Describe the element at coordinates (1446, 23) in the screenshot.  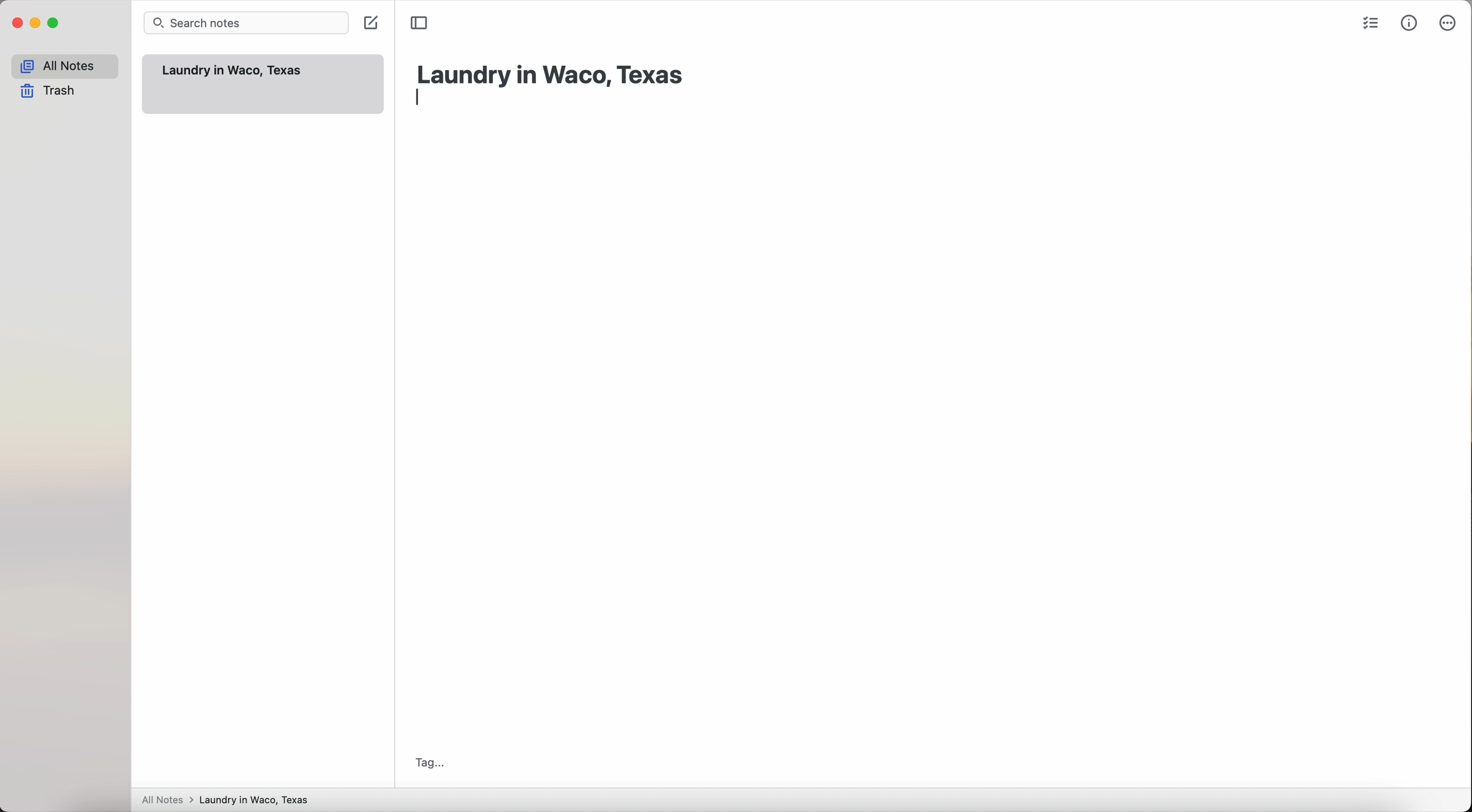
I see `more options` at that location.